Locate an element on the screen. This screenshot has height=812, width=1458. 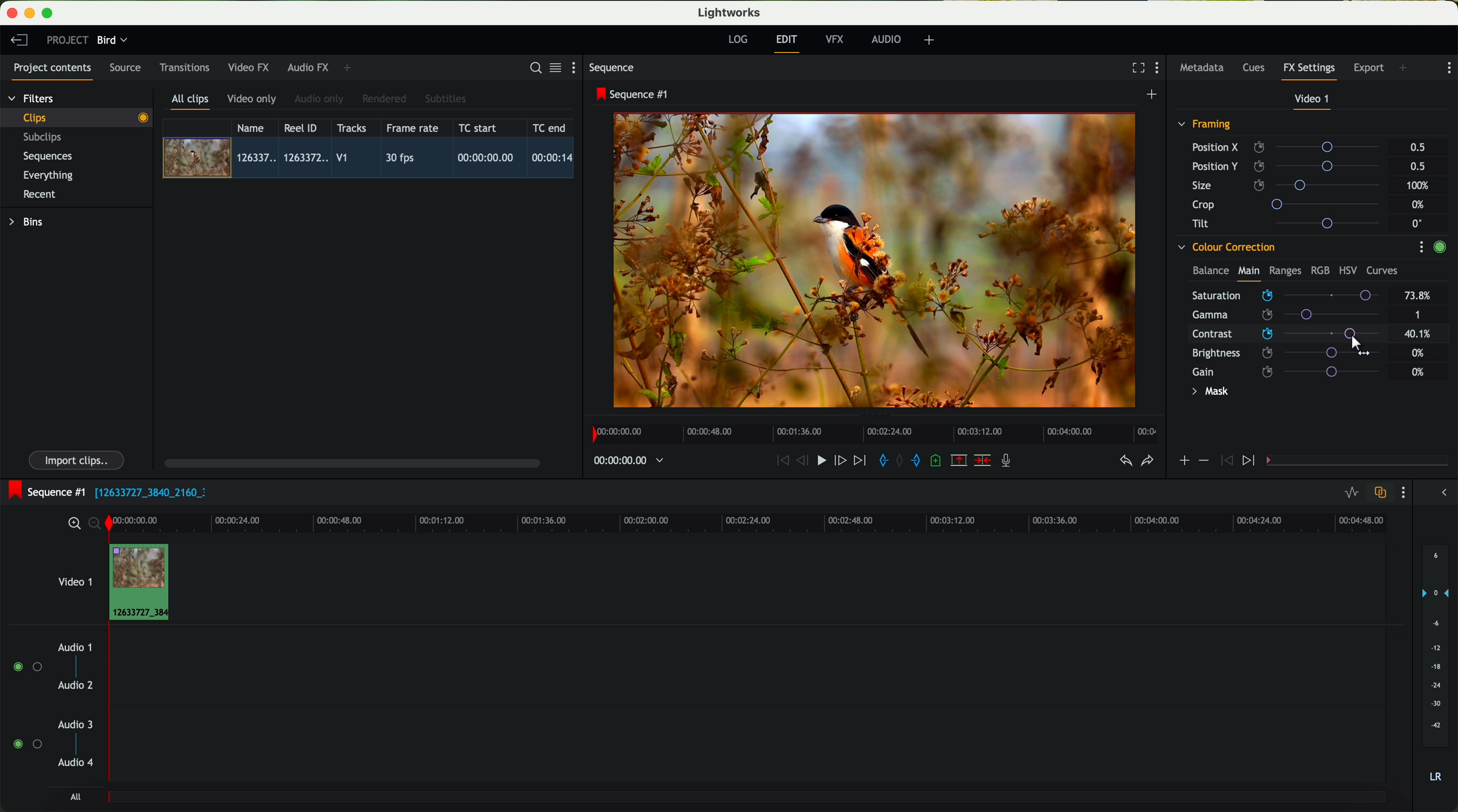
frame rate is located at coordinates (413, 128).